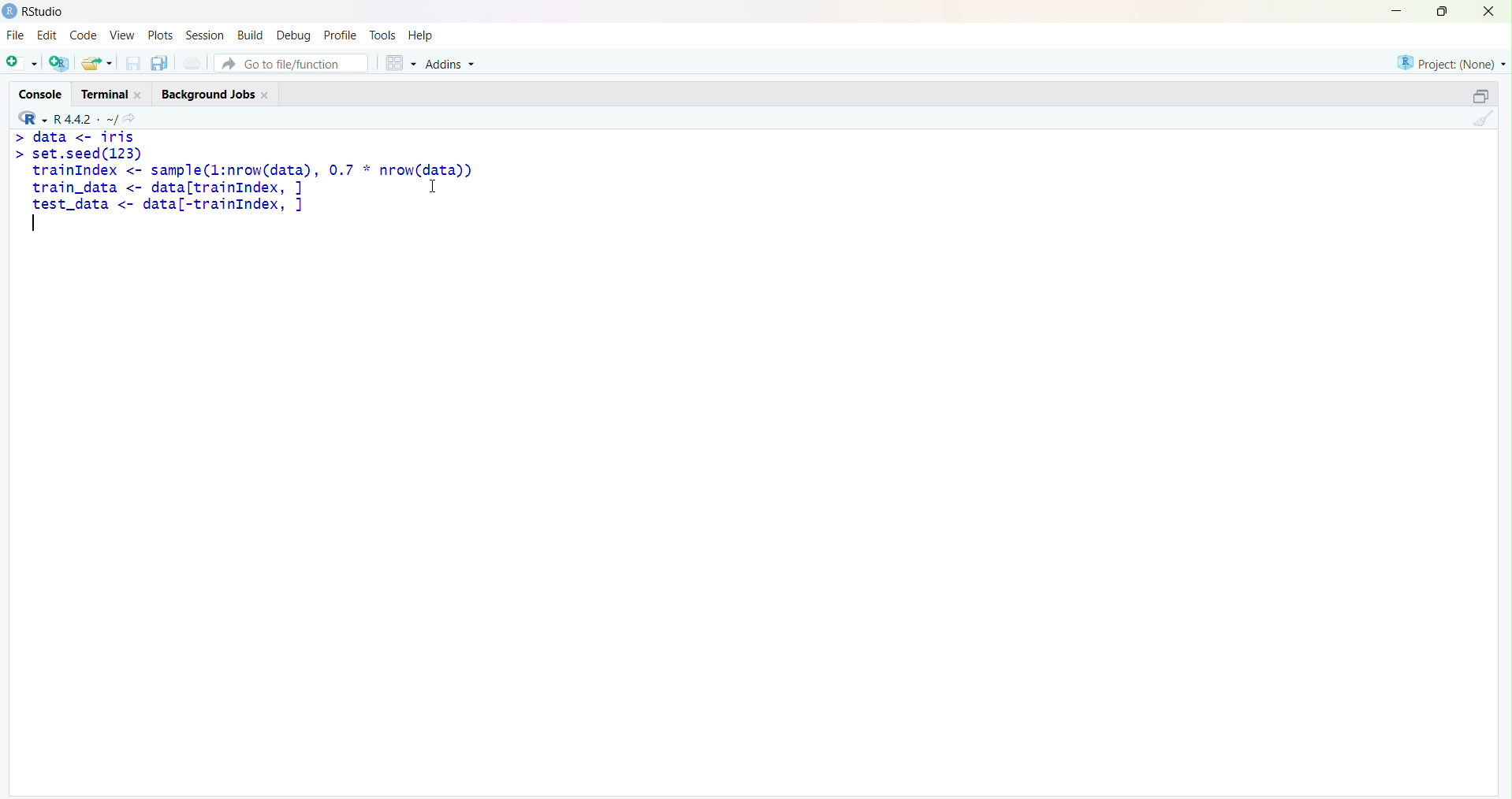 The image size is (1512, 799). What do you see at coordinates (158, 61) in the screenshot?
I see `Save all open documents (Ctrl + Alt + S)` at bounding box center [158, 61].